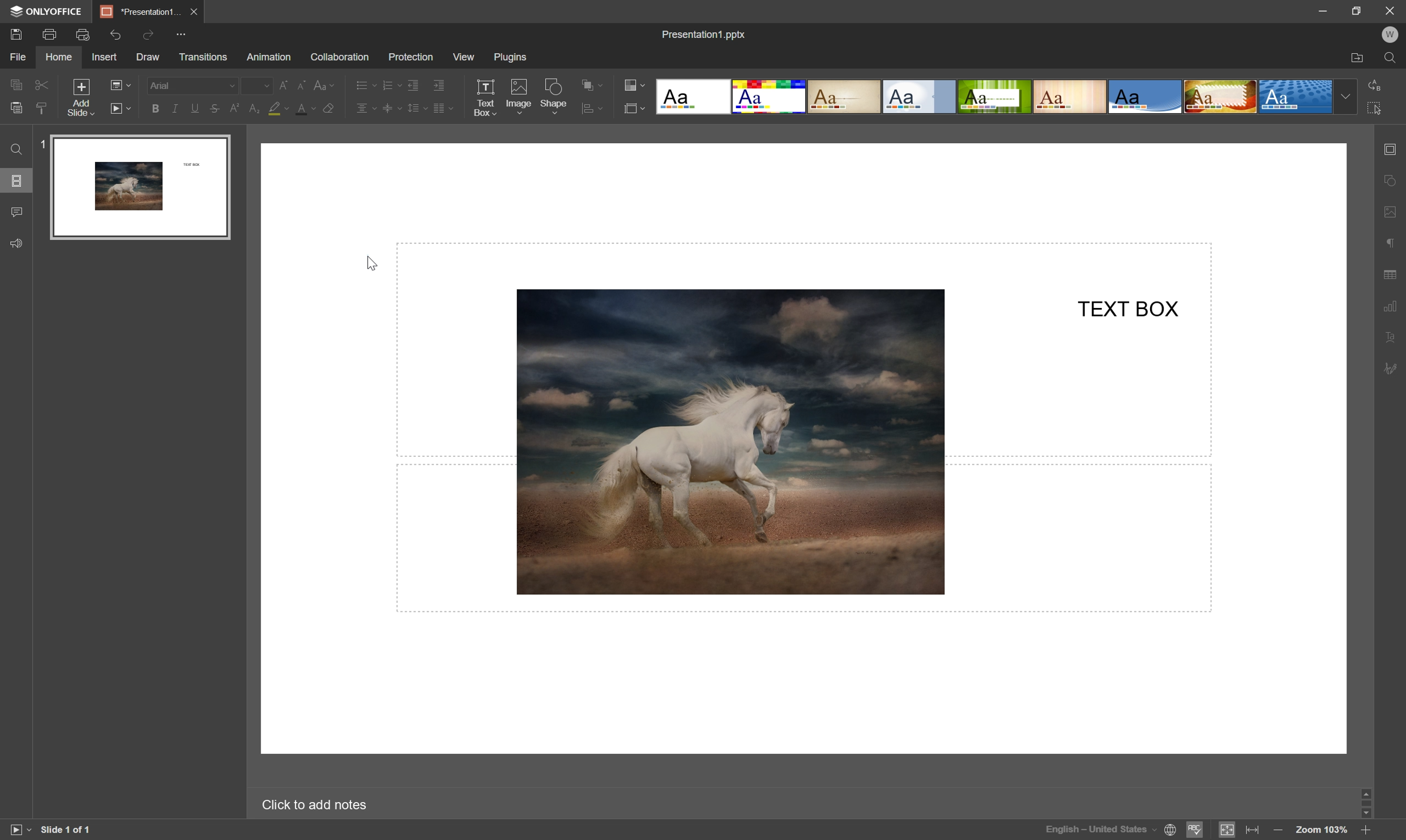 Image resolution: width=1406 pixels, height=840 pixels. Describe the element at coordinates (15, 149) in the screenshot. I see `find` at that location.